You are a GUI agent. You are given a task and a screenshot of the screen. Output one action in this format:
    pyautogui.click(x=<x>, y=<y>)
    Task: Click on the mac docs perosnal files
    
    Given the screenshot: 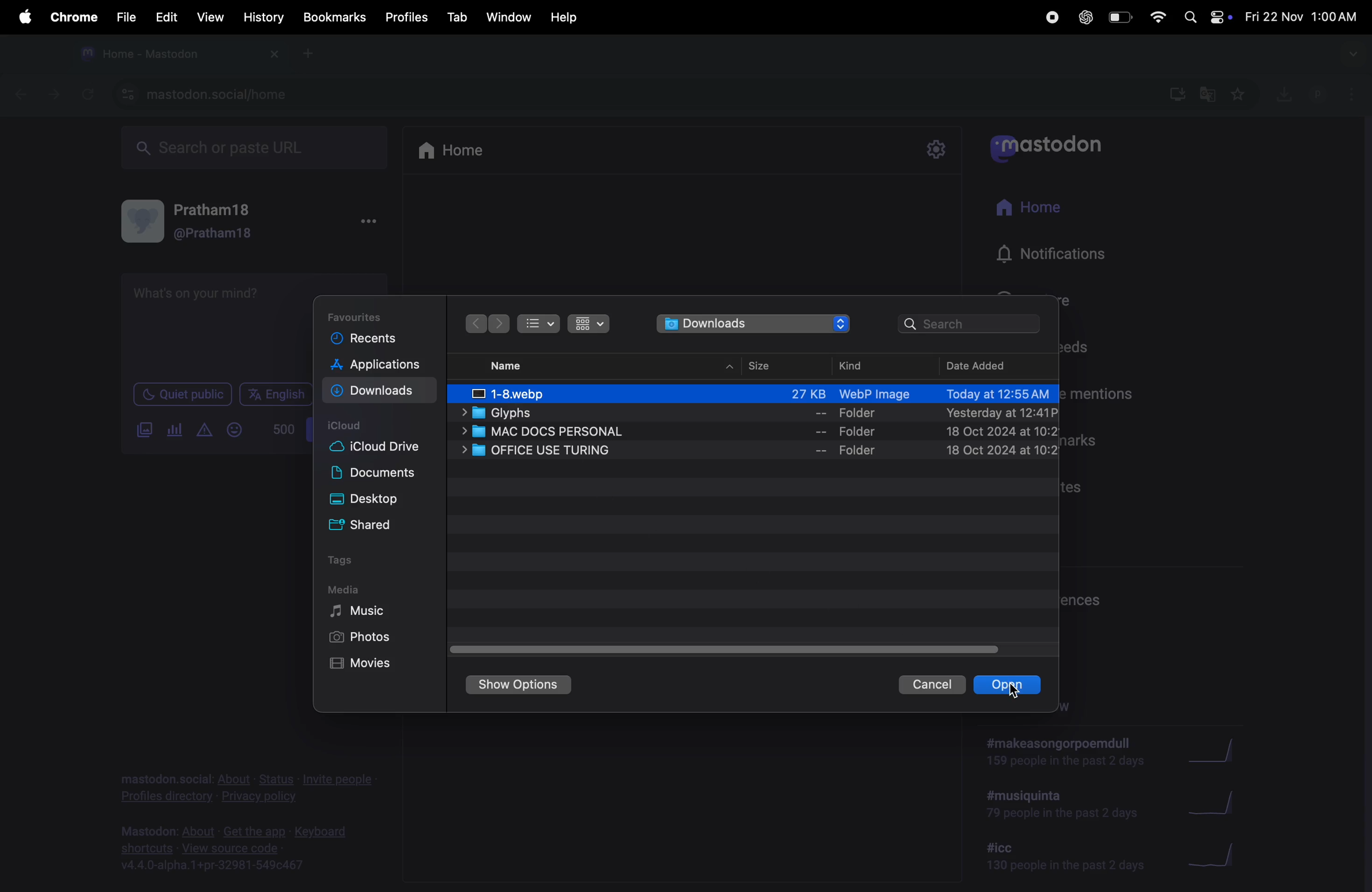 What is the action you would take?
    pyautogui.click(x=763, y=432)
    